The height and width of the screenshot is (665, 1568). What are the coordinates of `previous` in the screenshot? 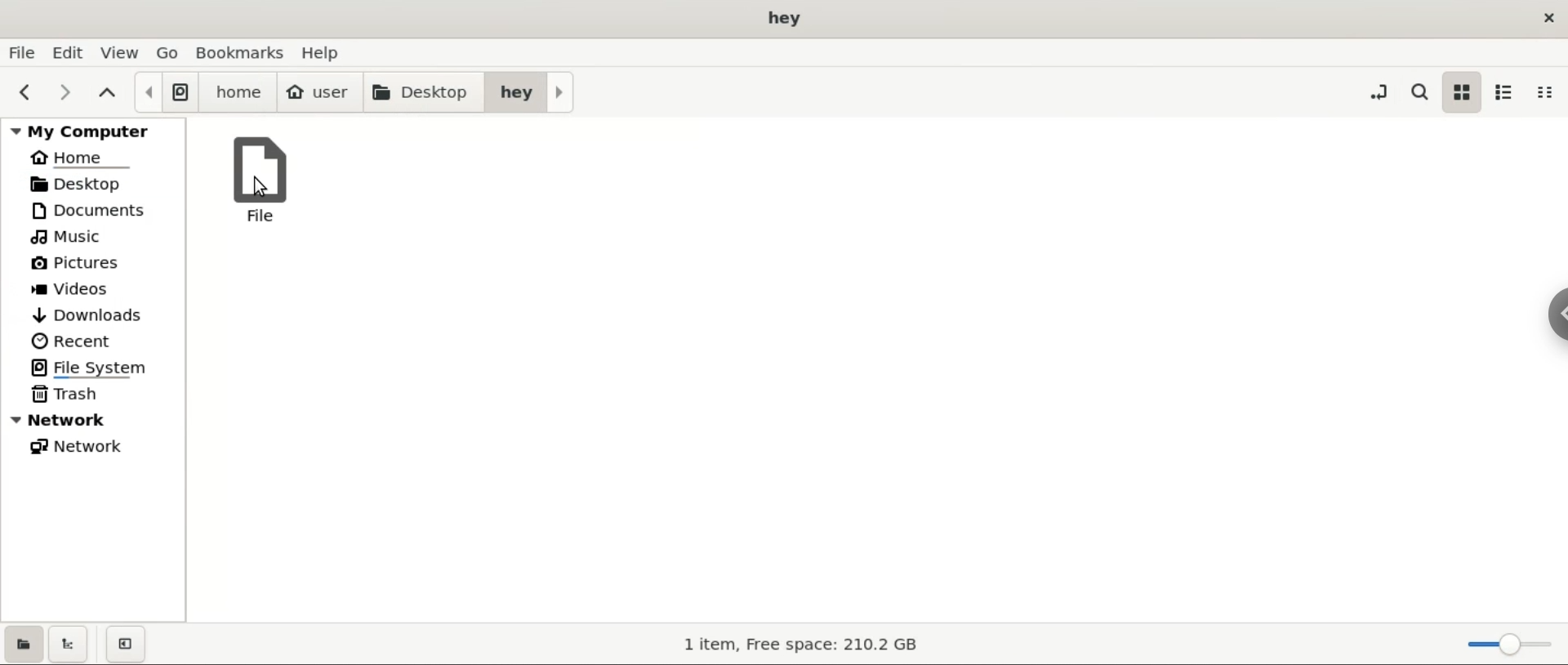 It's located at (26, 91).